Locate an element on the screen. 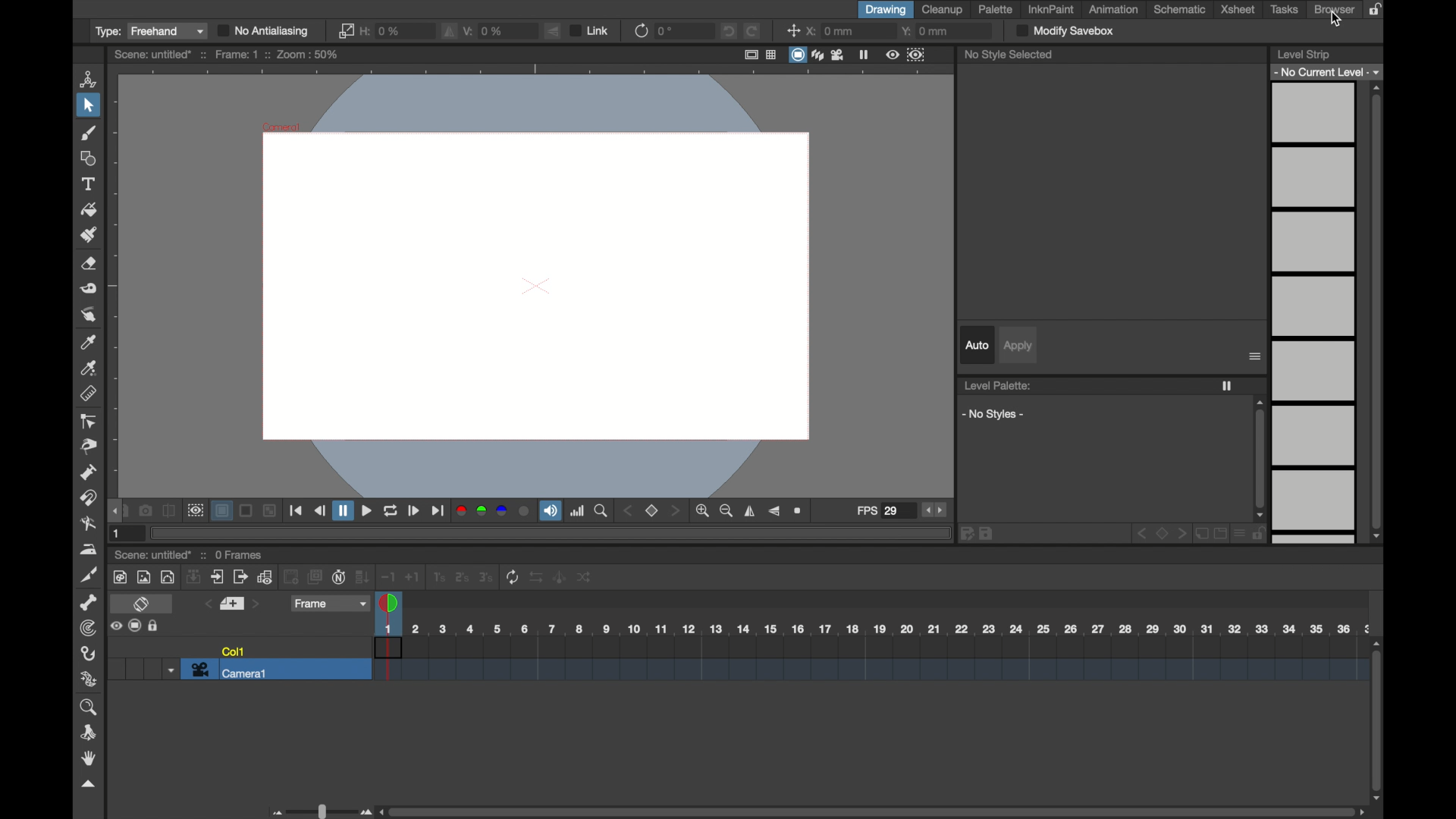 Image resolution: width=1456 pixels, height=819 pixels. scene is located at coordinates (227, 55).